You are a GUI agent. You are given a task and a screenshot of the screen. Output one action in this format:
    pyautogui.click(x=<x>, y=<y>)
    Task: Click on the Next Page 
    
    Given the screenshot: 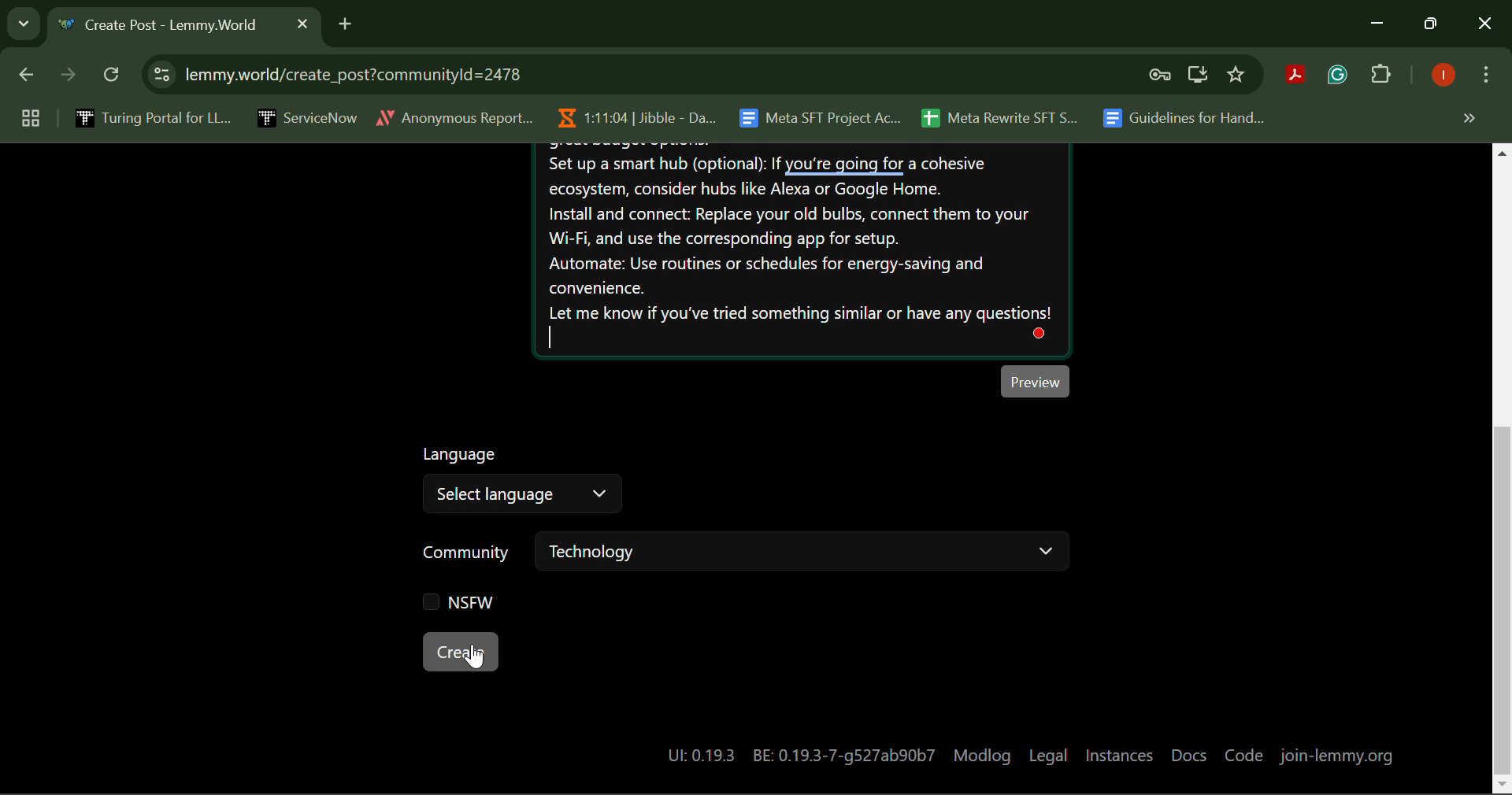 What is the action you would take?
    pyautogui.click(x=66, y=79)
    